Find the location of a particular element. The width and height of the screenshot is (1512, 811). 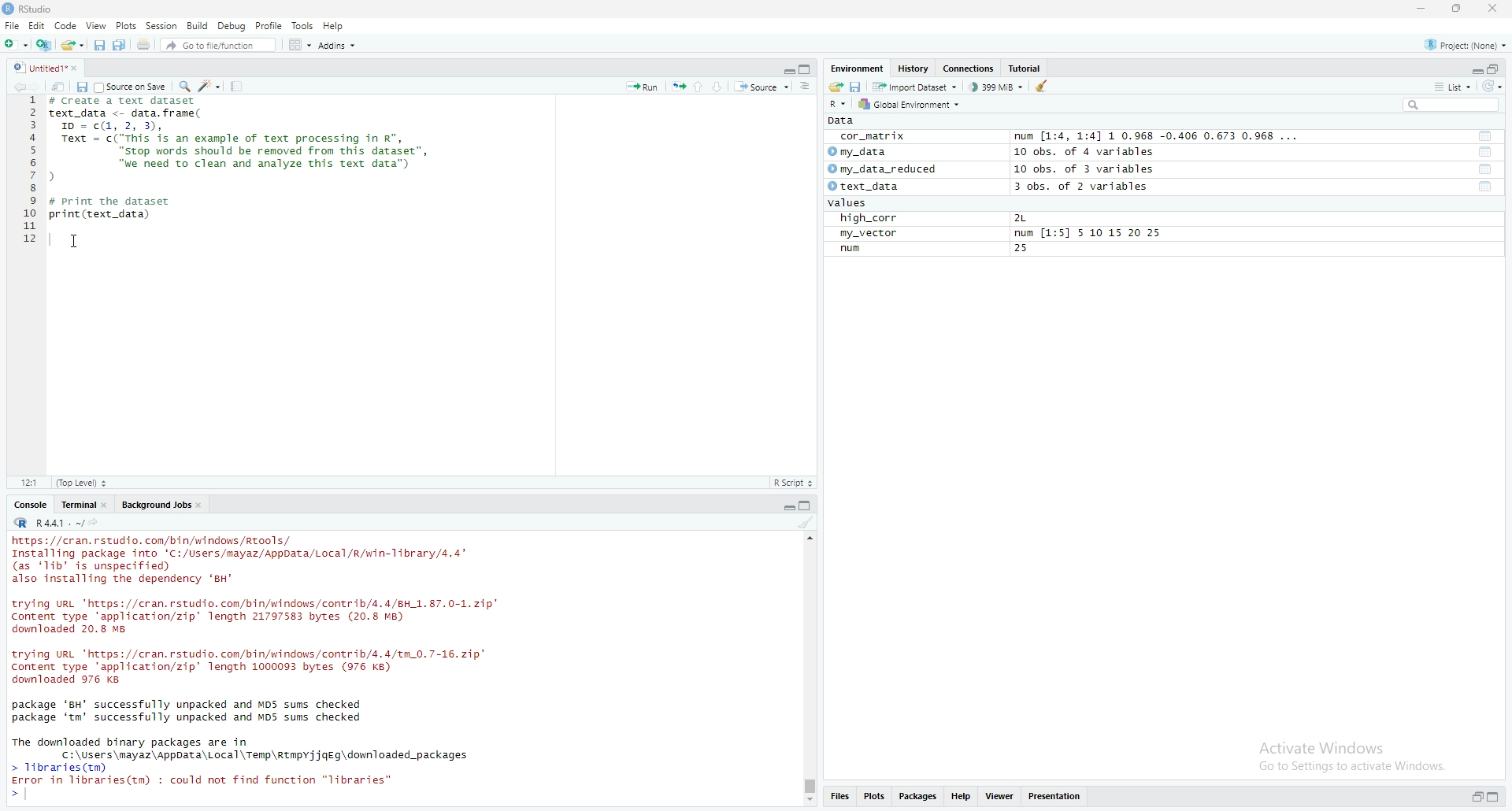

Edit is located at coordinates (35, 25).